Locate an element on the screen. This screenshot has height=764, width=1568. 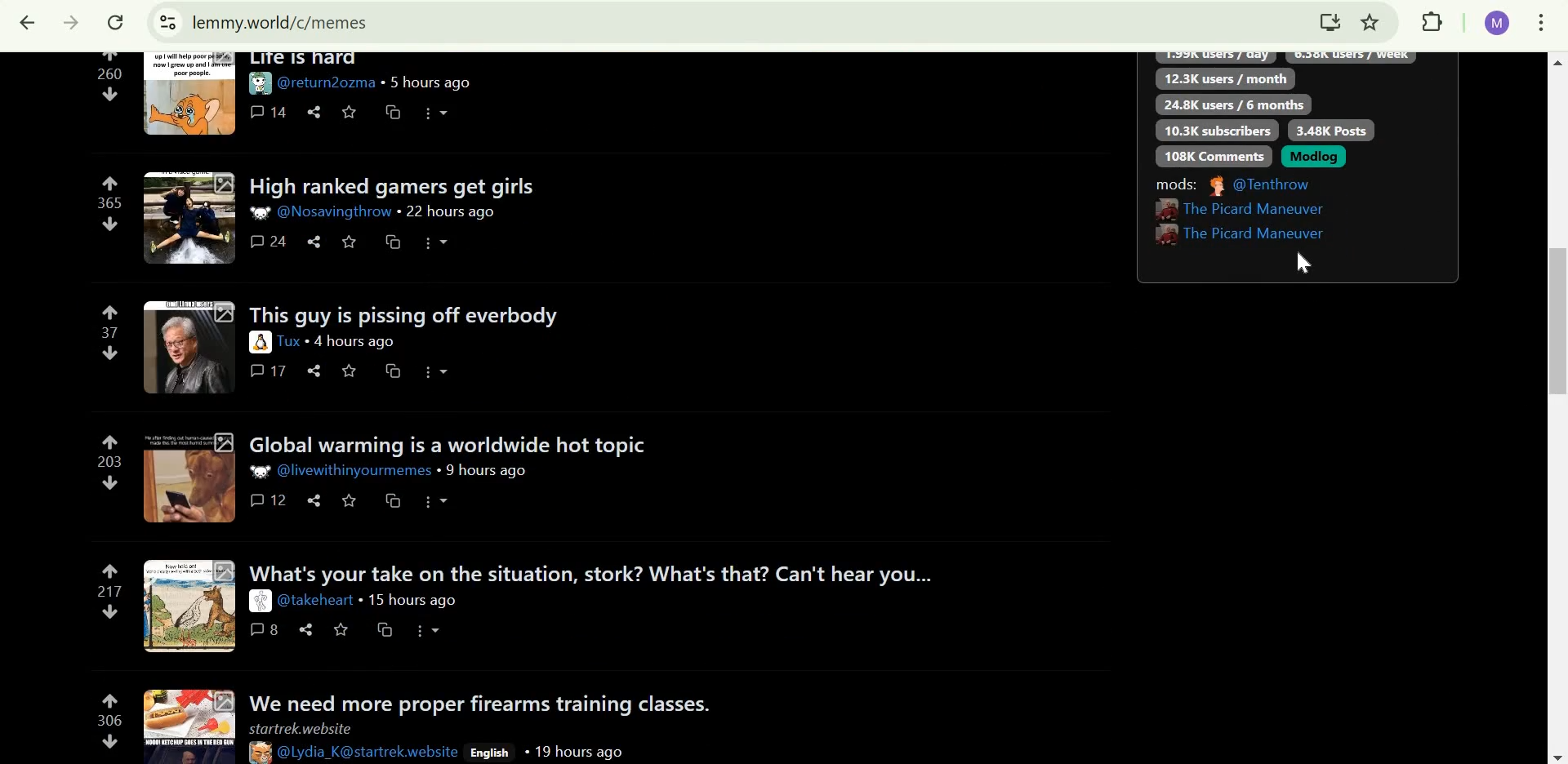
view site information is located at coordinates (166, 24).